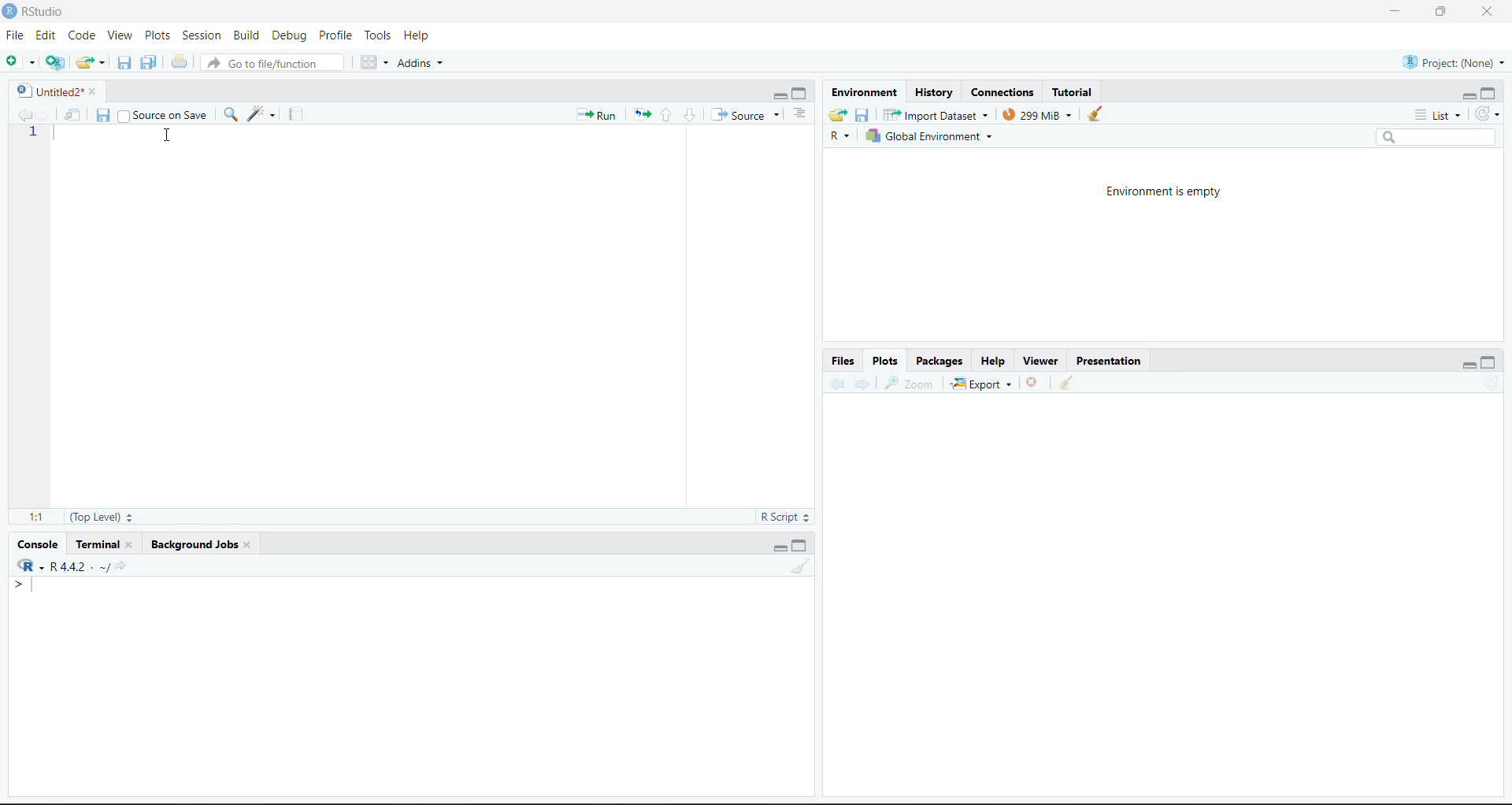 The image size is (1512, 805). I want to click on refresh the list of objects in the environment, so click(1490, 115).